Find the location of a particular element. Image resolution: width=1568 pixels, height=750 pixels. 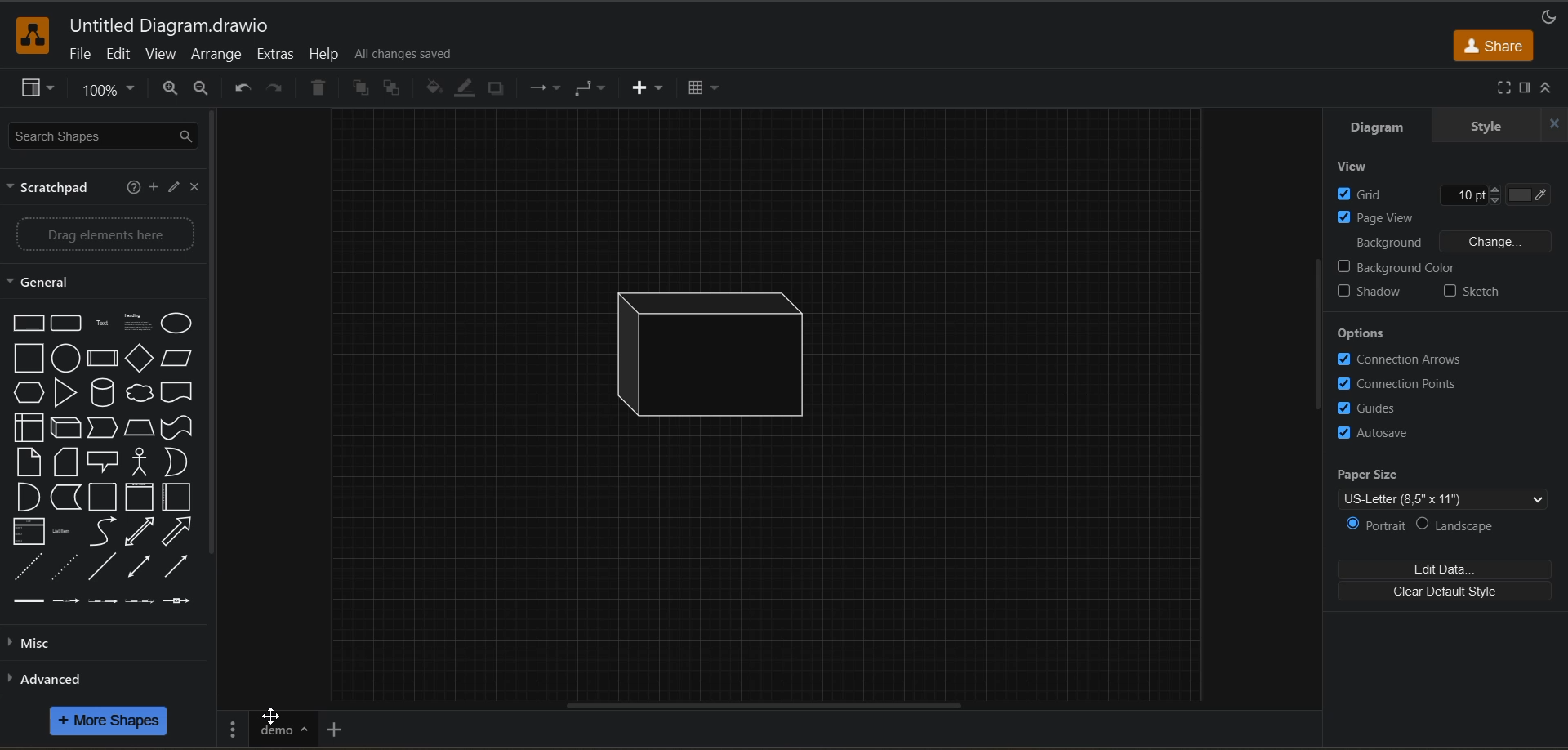

diagram is located at coordinates (1391, 126).